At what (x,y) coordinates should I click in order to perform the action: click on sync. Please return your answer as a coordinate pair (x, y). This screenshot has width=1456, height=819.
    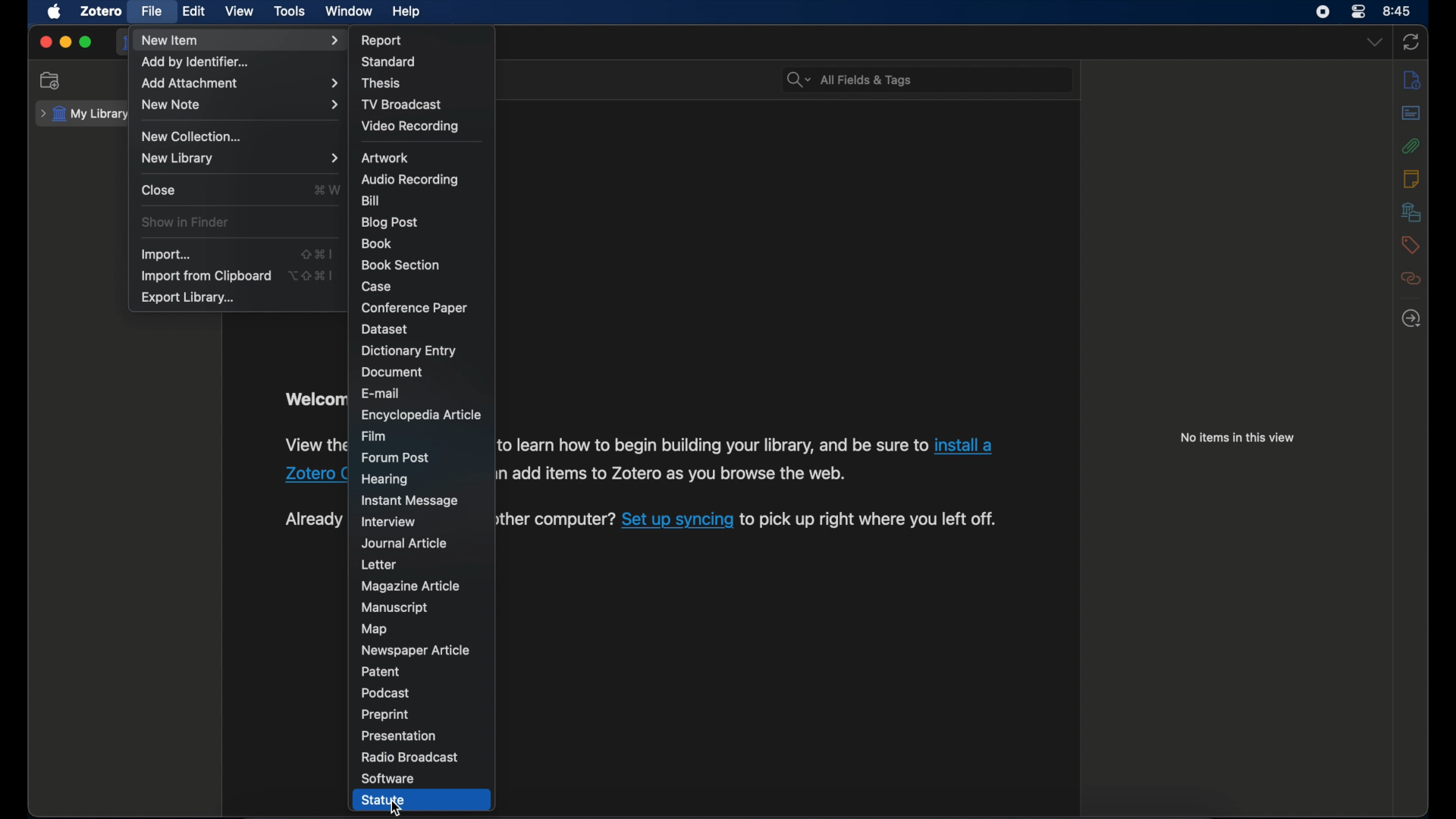
    Looking at the image, I should click on (1412, 42).